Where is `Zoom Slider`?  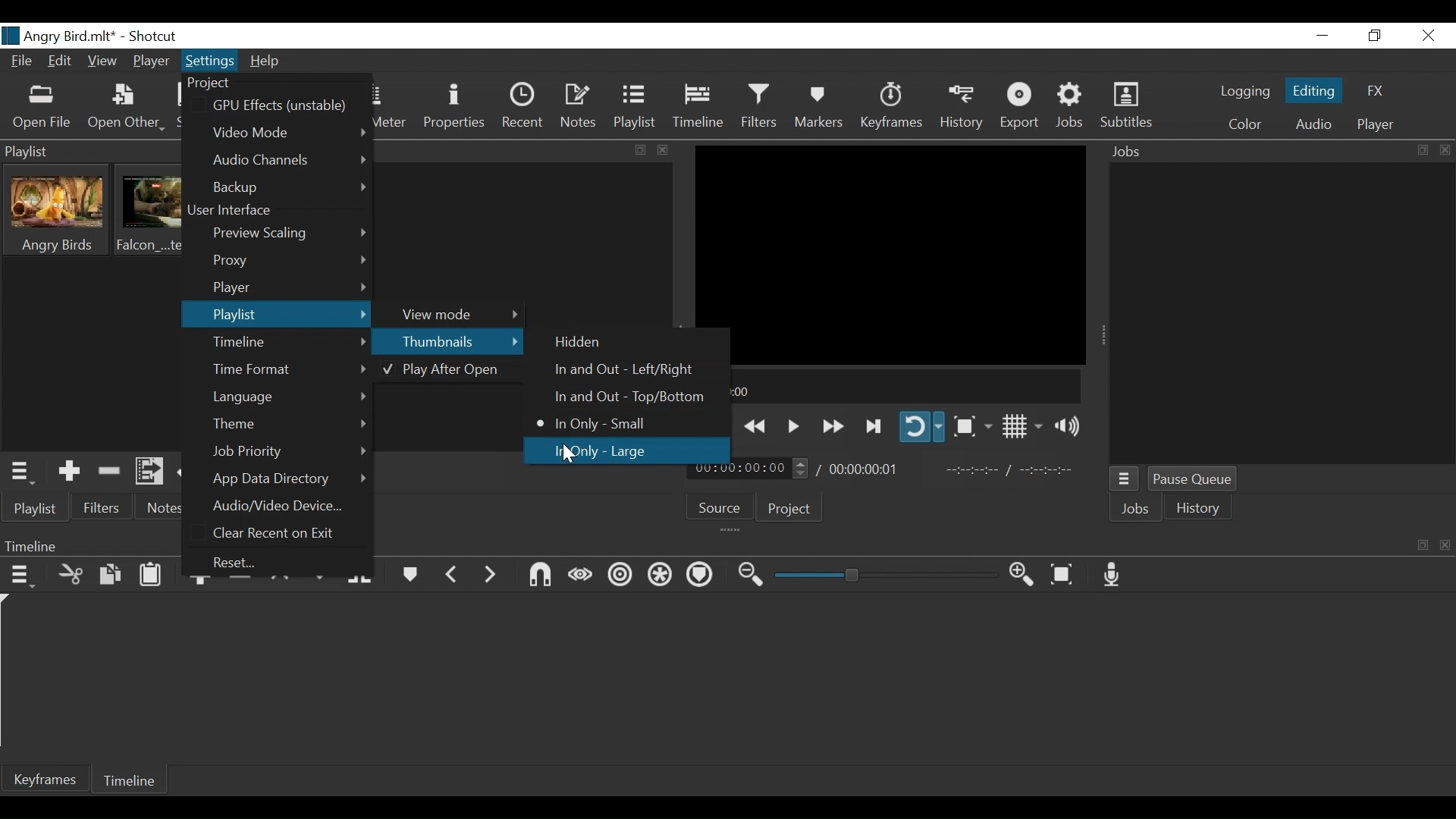
Zoom Slider is located at coordinates (885, 575).